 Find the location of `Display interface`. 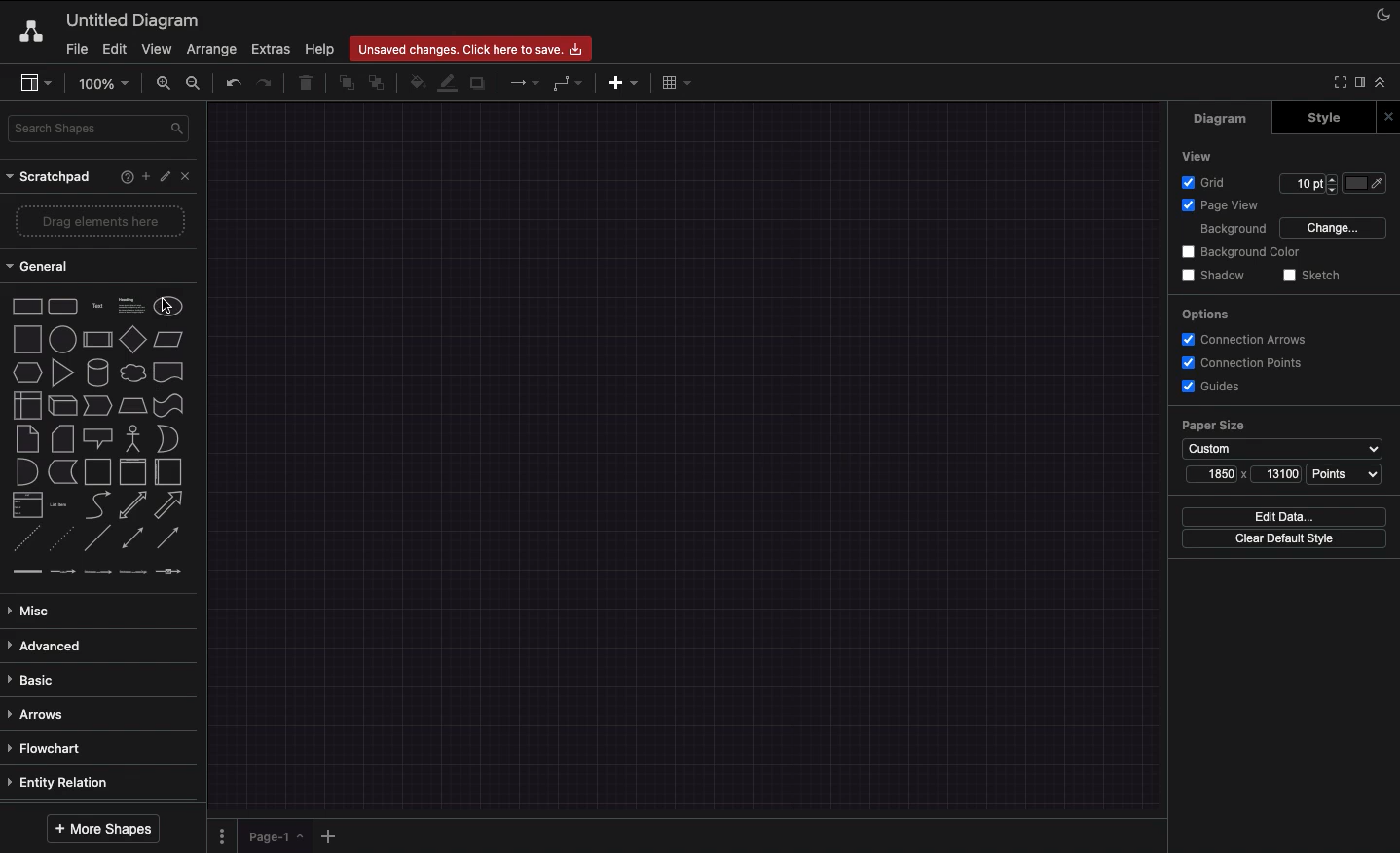

Display interface is located at coordinates (687, 460).